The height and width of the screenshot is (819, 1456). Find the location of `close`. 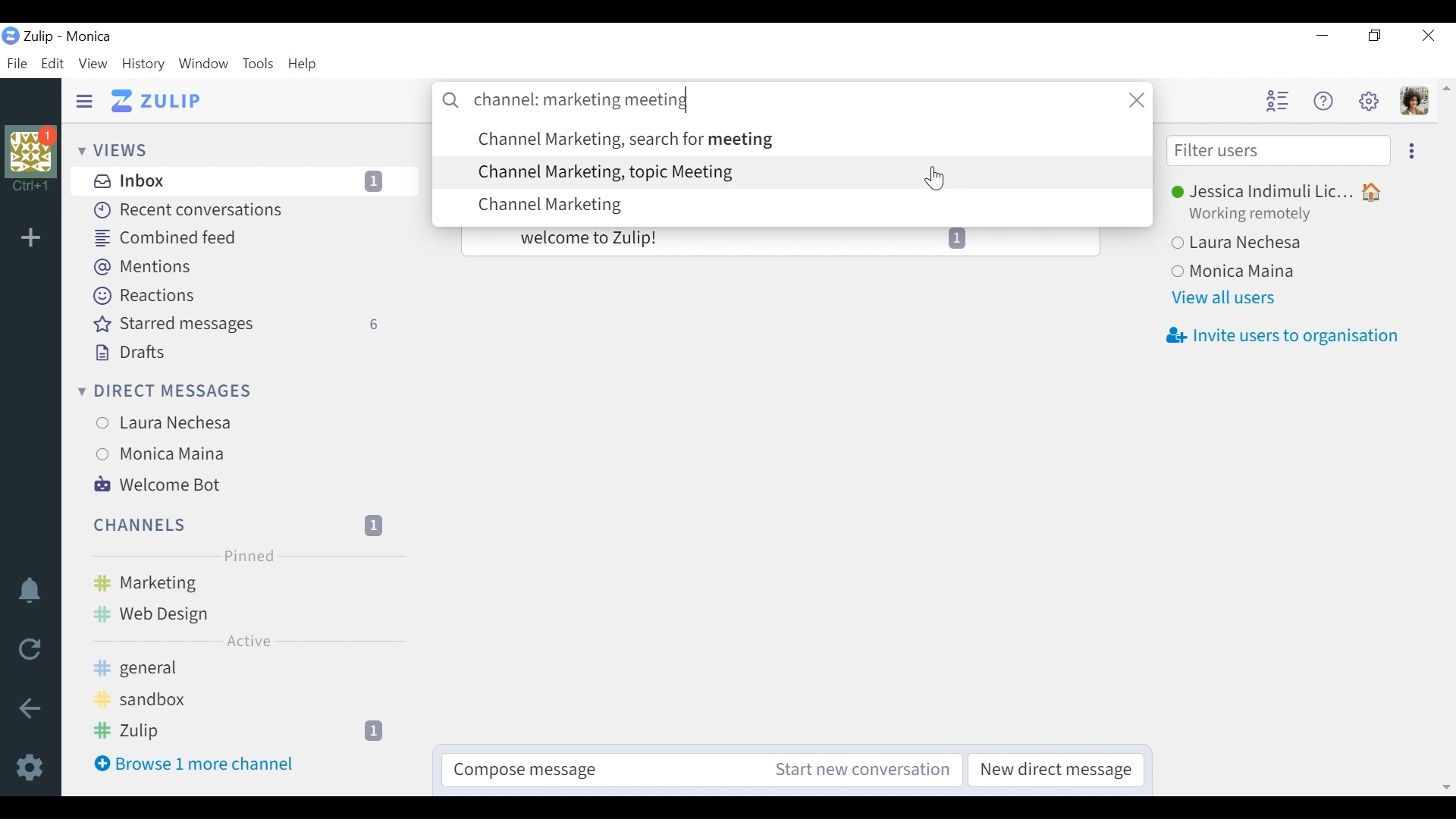

close is located at coordinates (1139, 101).